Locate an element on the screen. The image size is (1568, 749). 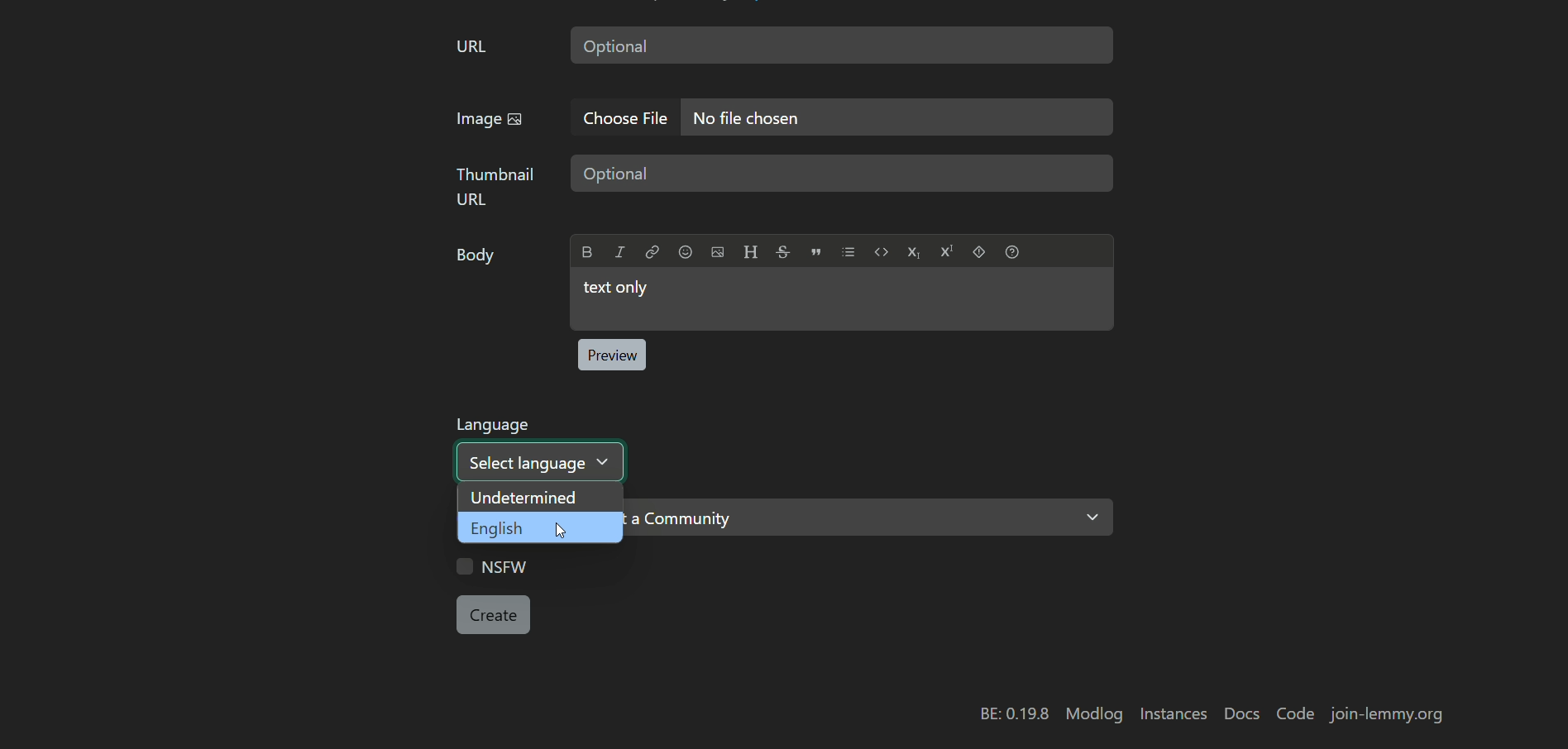
text box is located at coordinates (899, 117).